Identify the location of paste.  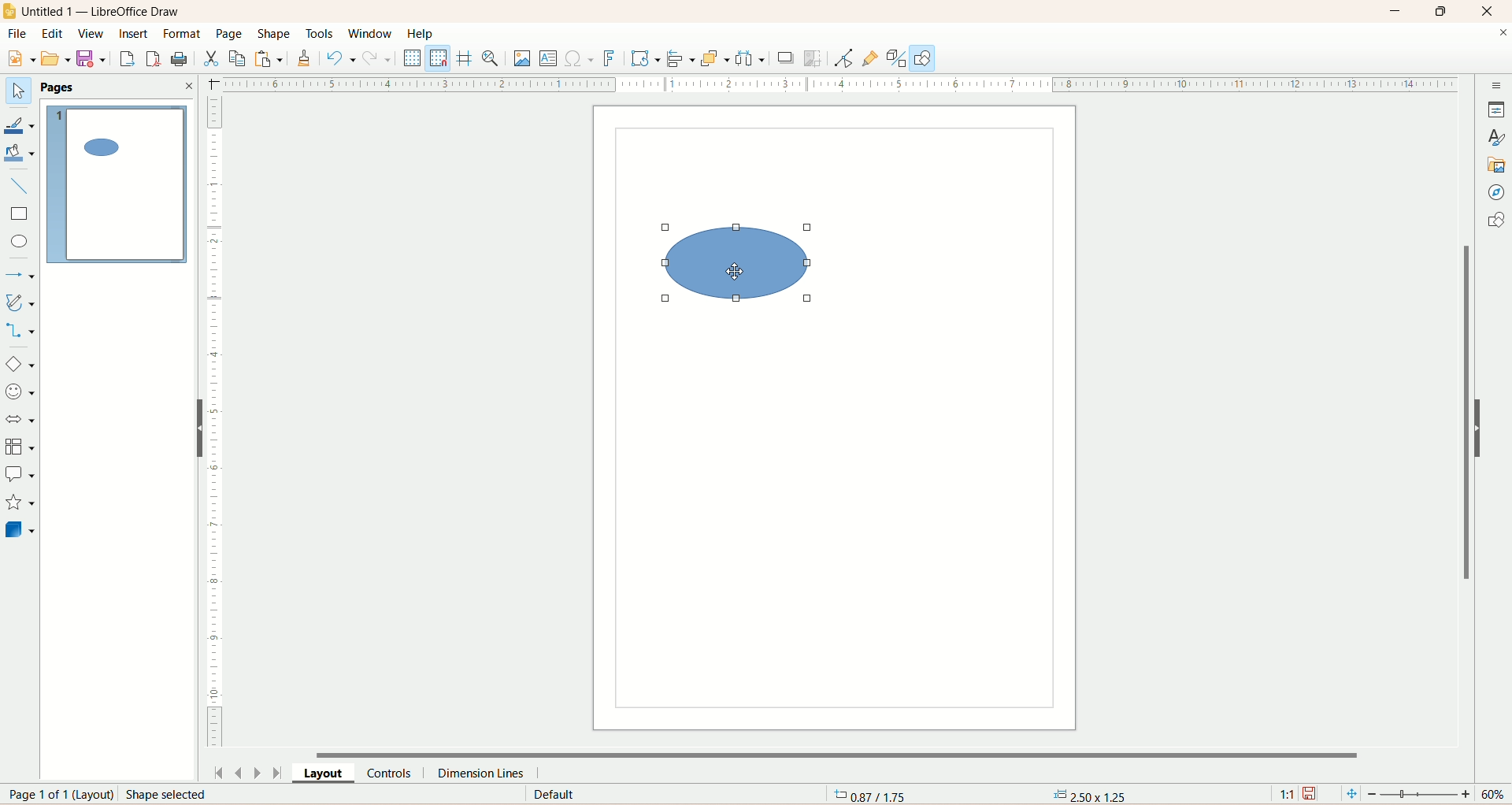
(268, 58).